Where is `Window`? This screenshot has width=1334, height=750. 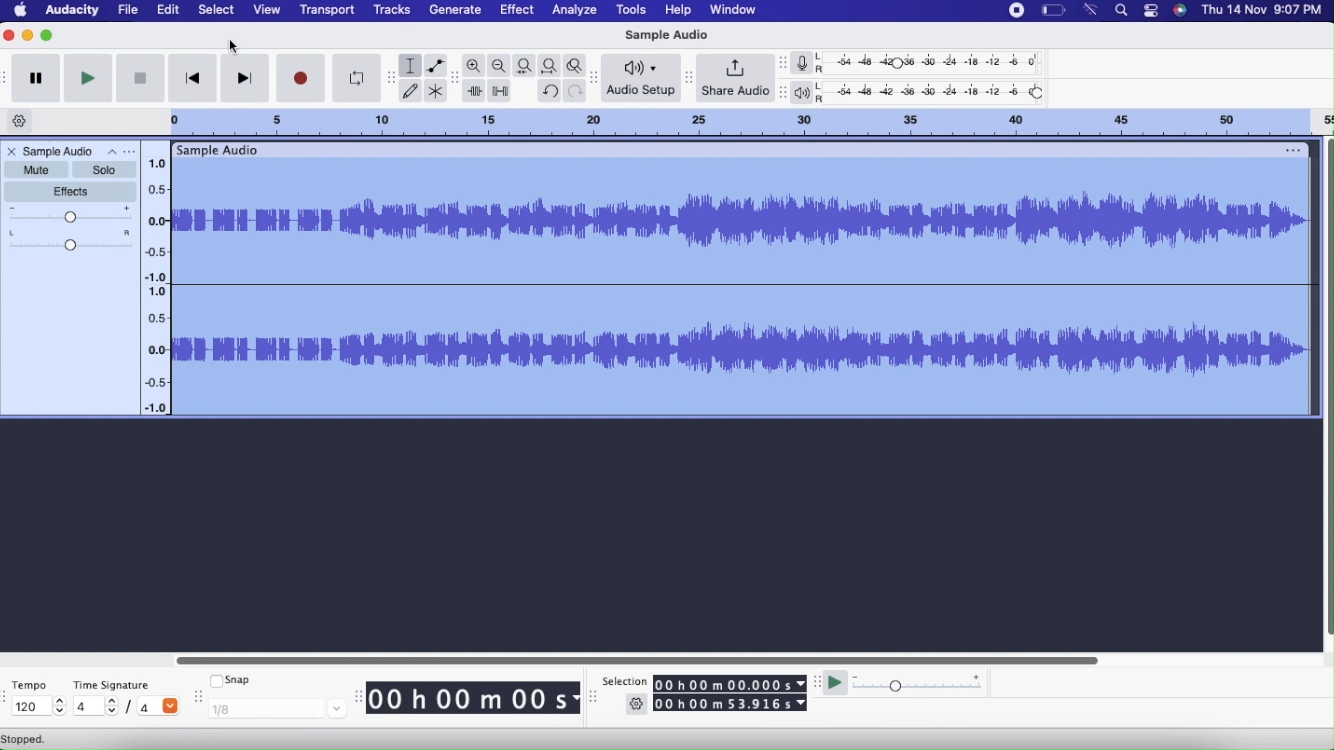 Window is located at coordinates (735, 10).